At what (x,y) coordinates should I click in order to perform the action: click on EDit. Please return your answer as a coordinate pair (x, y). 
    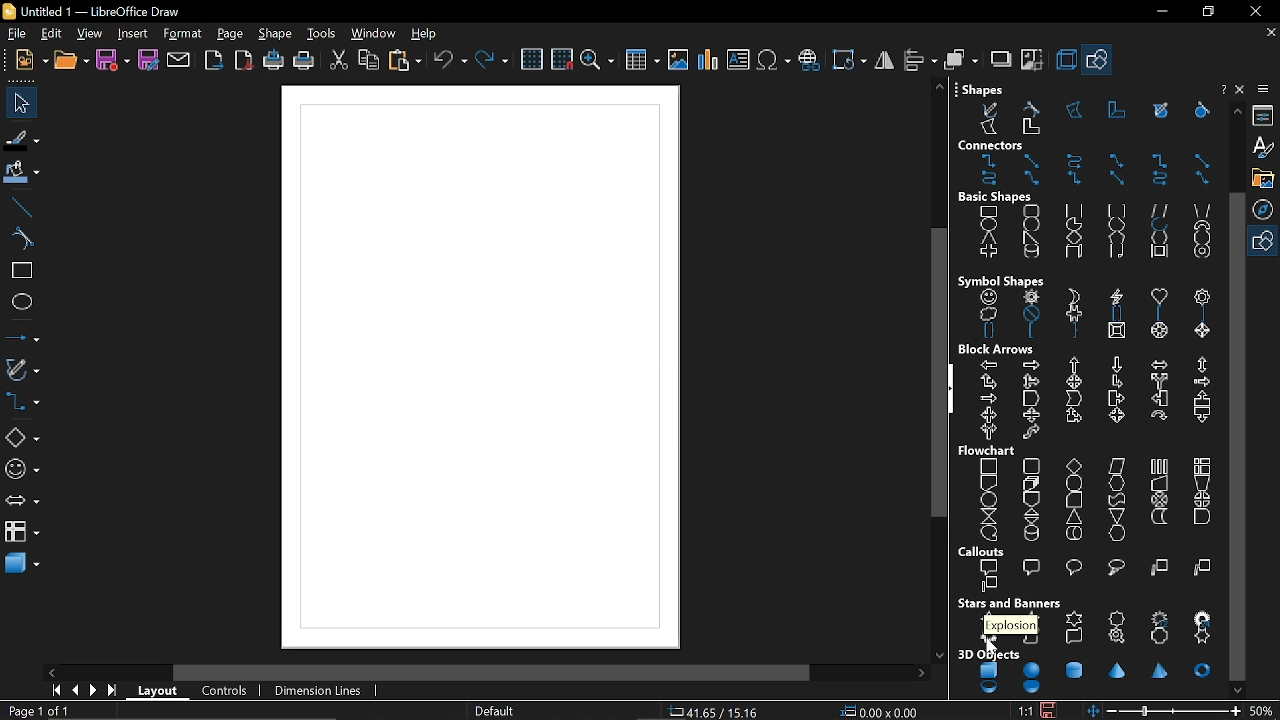
    Looking at the image, I should click on (52, 34).